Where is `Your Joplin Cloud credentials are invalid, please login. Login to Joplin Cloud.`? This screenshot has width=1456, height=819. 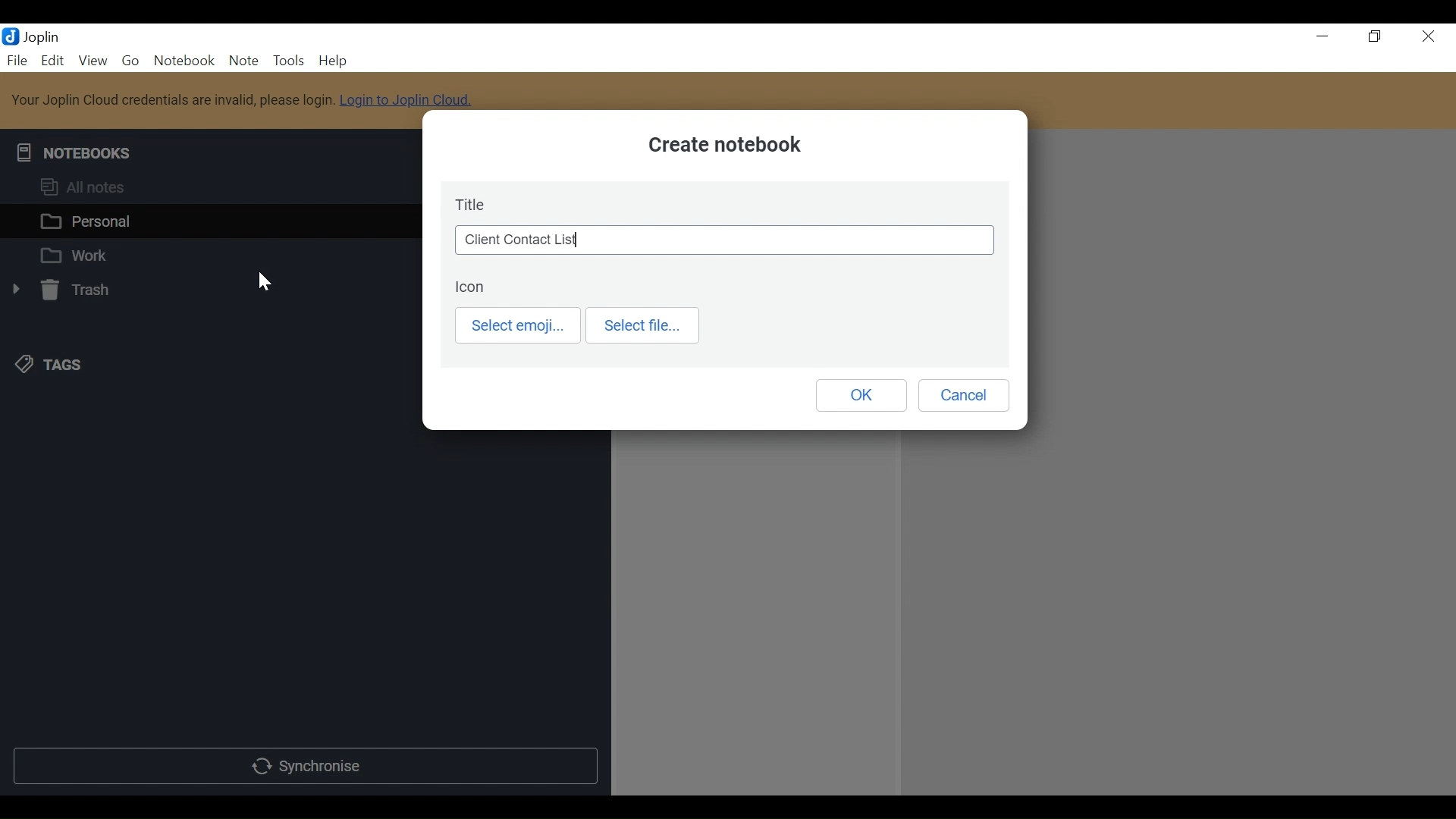 Your Joplin Cloud credentials are invalid, please login. Login to Joplin Cloud. is located at coordinates (253, 99).